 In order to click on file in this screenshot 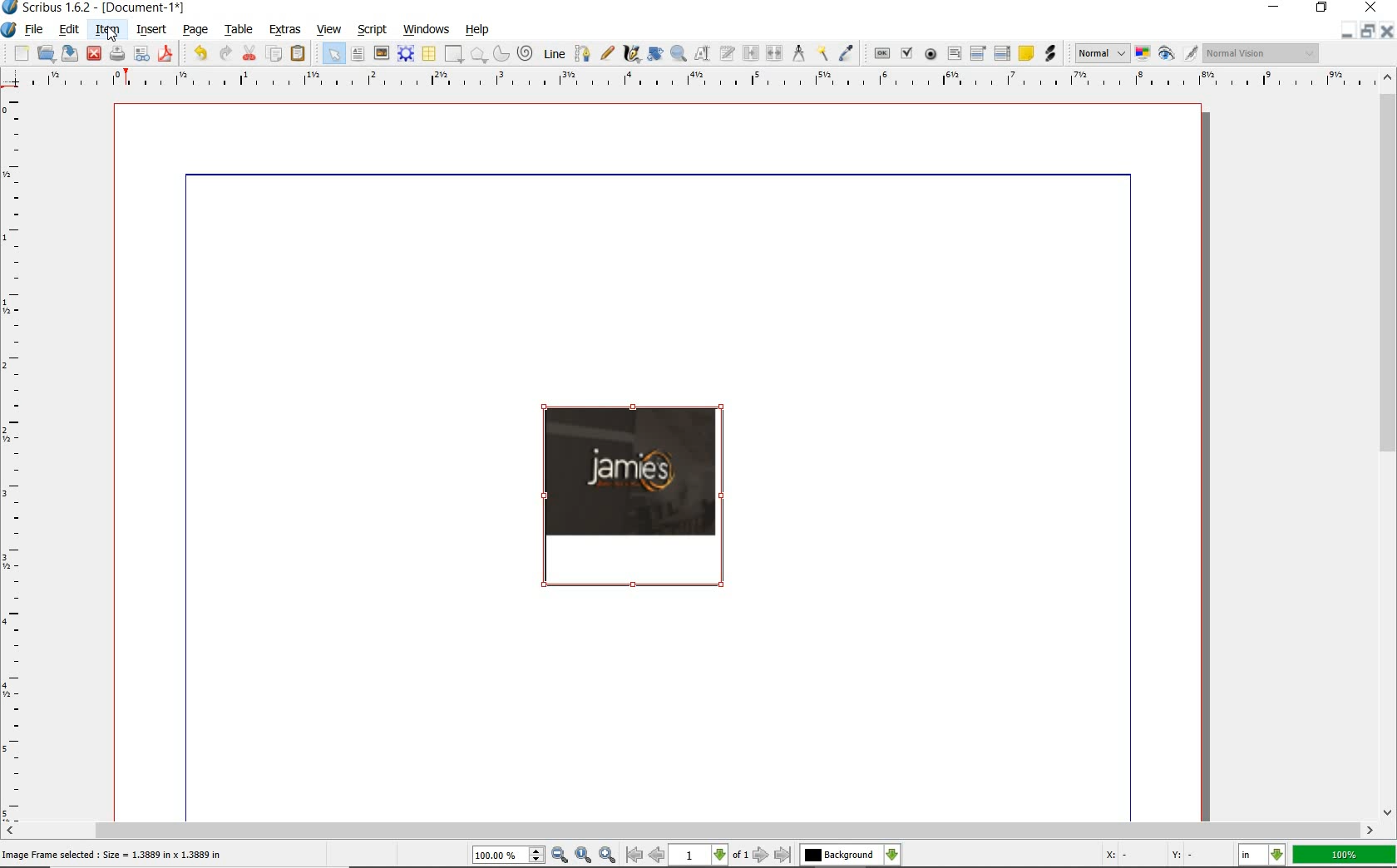, I will do `click(38, 28)`.